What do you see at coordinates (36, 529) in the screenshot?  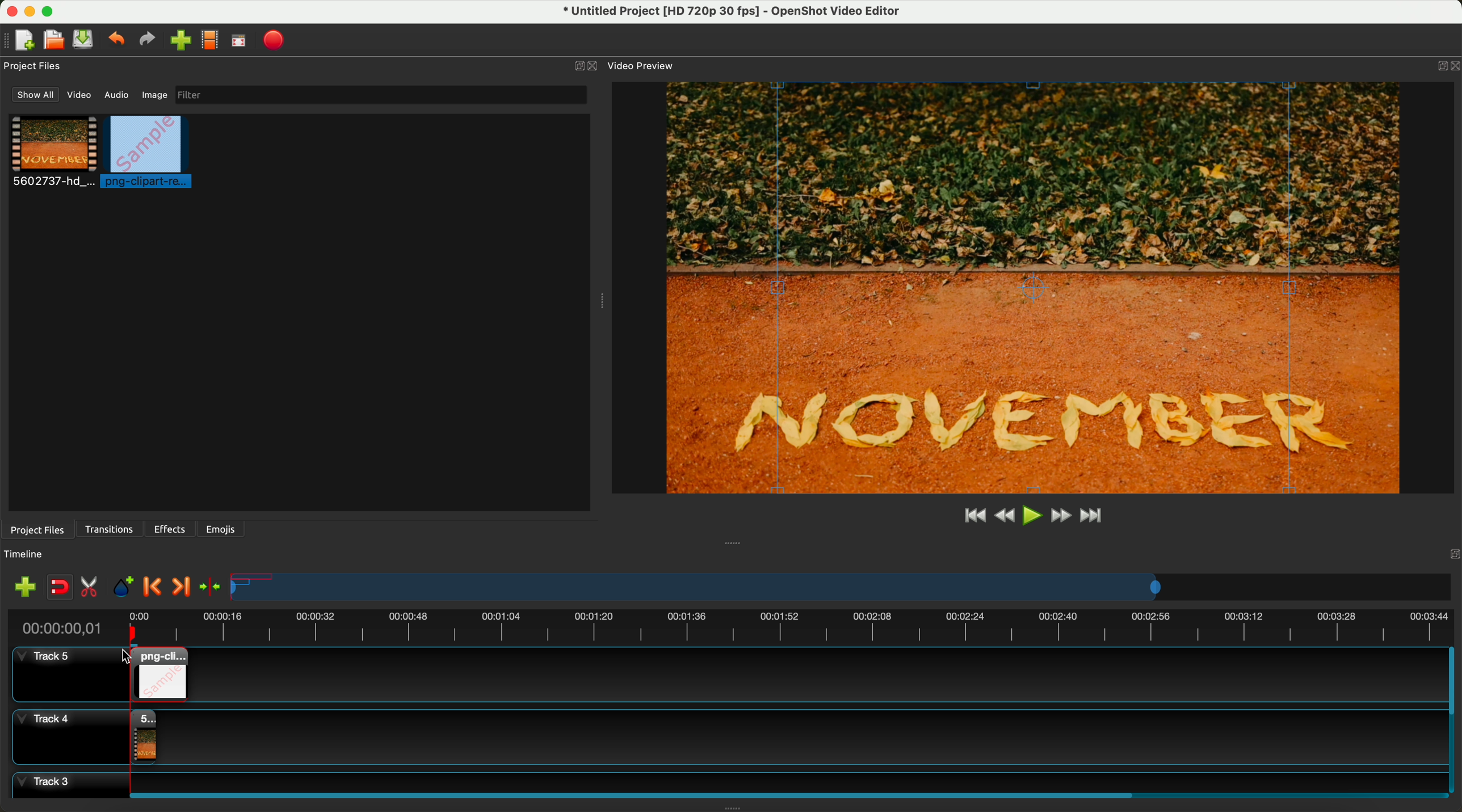 I see `project files` at bounding box center [36, 529].